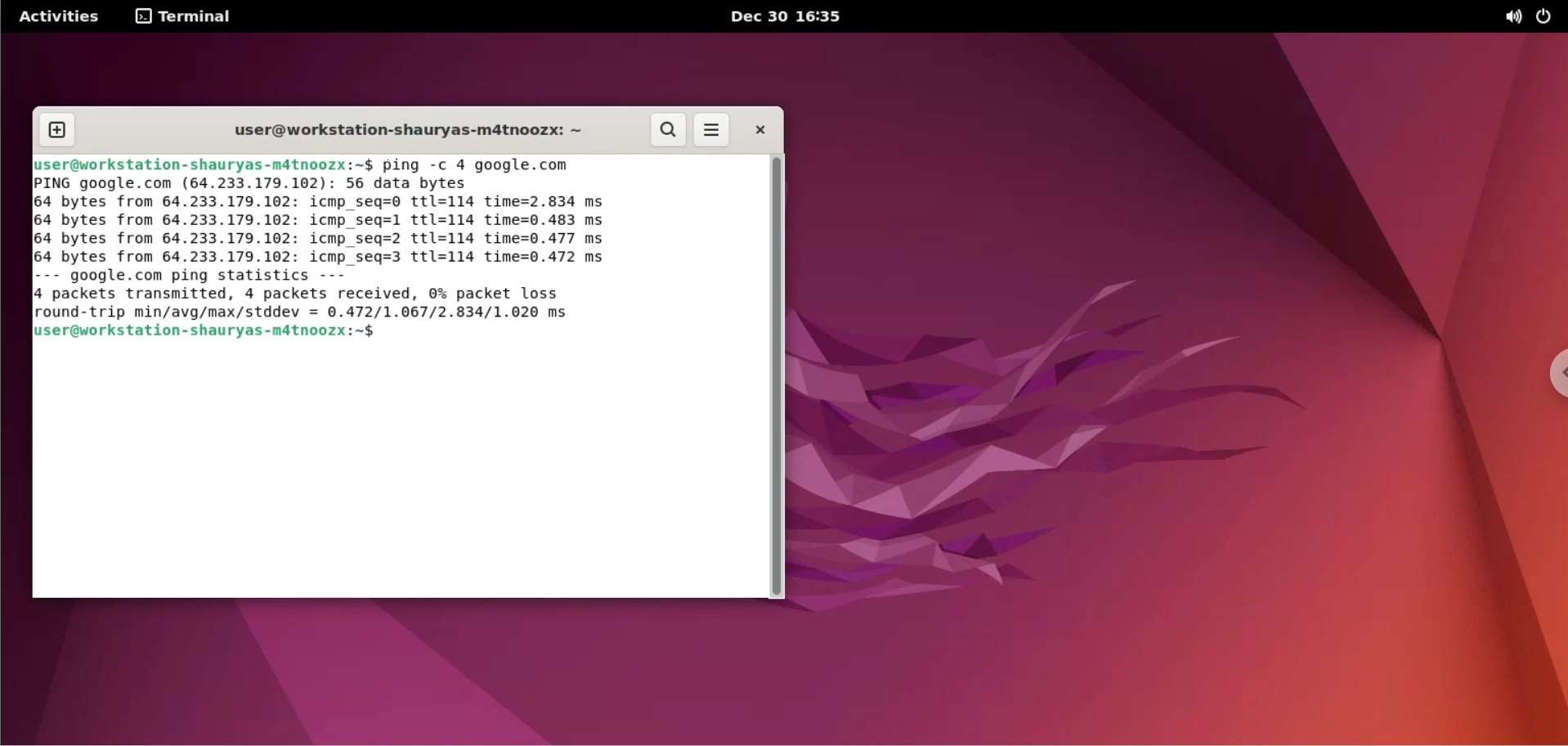  I want to click on close, so click(760, 130).